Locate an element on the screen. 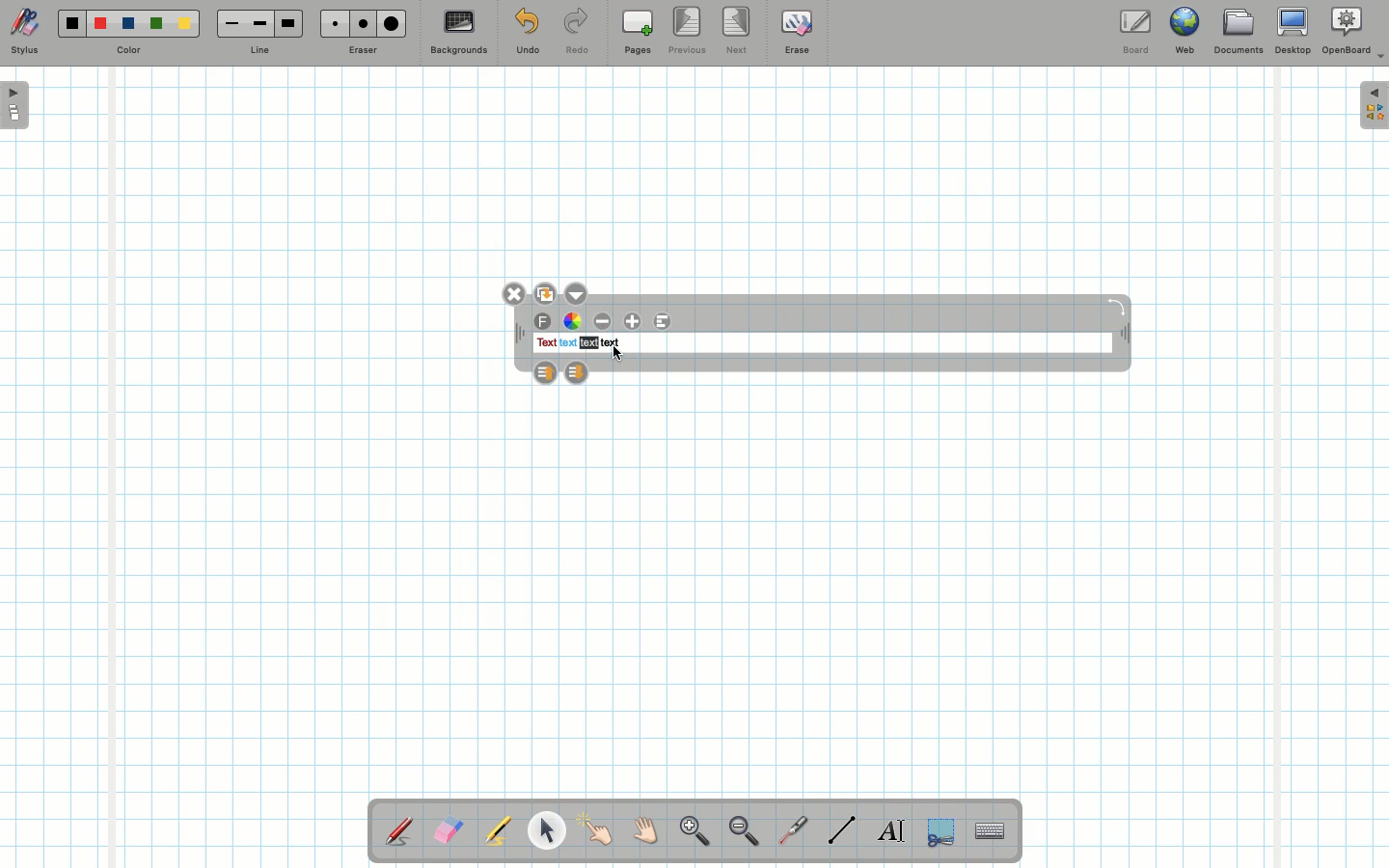 This screenshot has height=868, width=1389. Medium line is located at coordinates (259, 23).